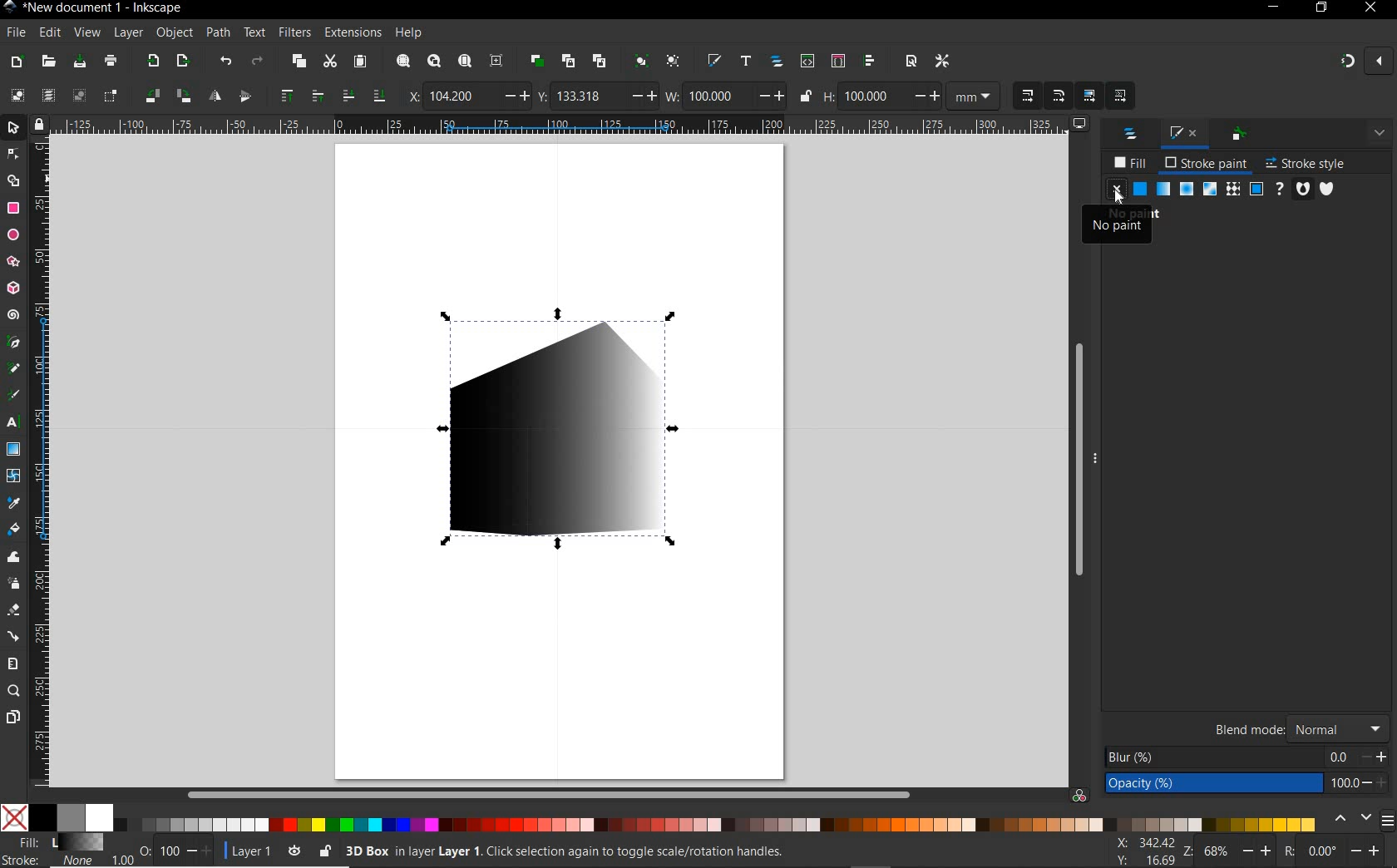 The height and width of the screenshot is (868, 1397). What do you see at coordinates (870, 61) in the screenshot?
I see `OPEN ALIGN AND DISTRIBUTE` at bounding box center [870, 61].